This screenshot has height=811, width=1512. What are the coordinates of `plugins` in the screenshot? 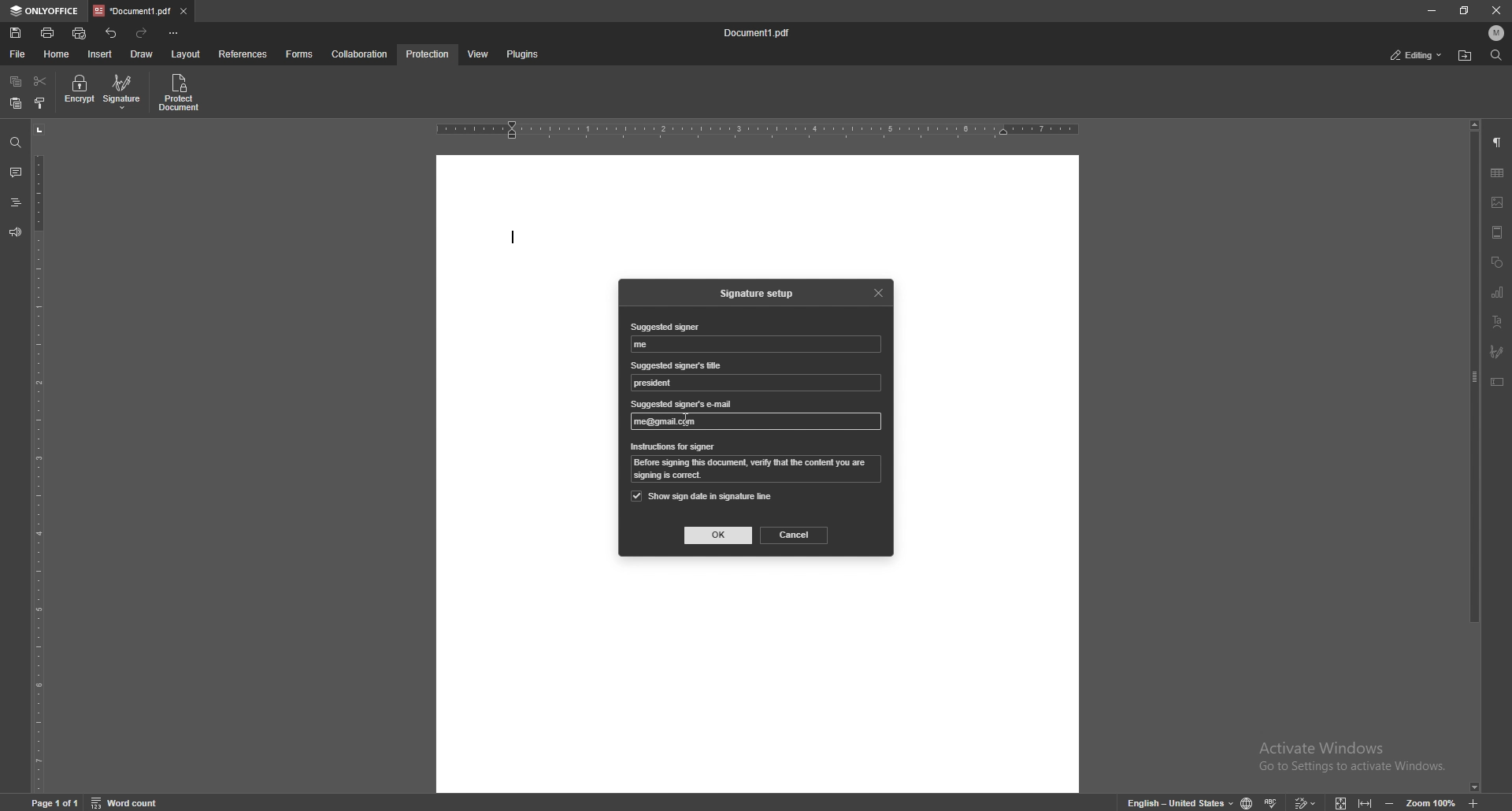 It's located at (521, 55).